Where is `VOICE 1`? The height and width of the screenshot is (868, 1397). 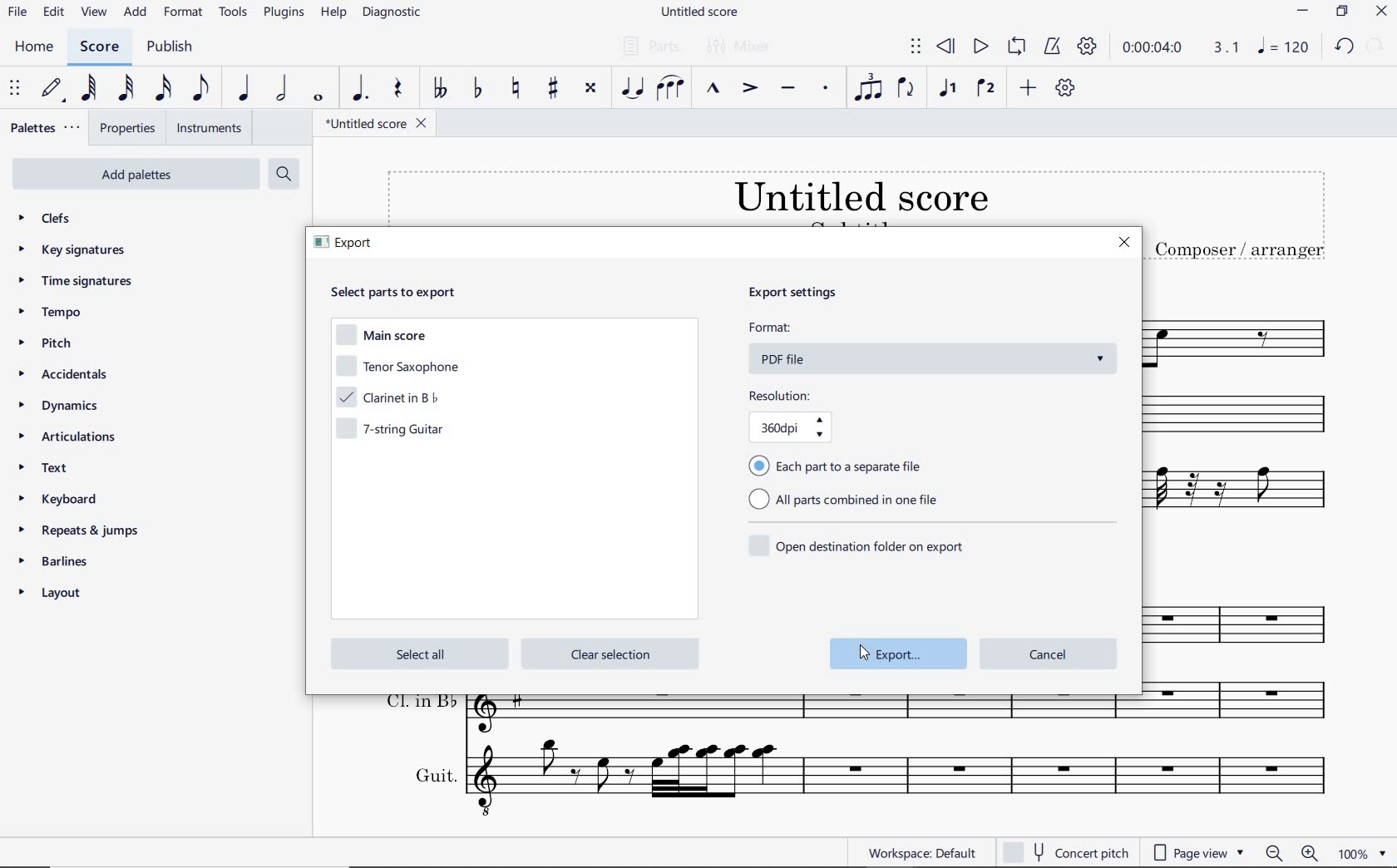
VOICE 1 is located at coordinates (949, 89).